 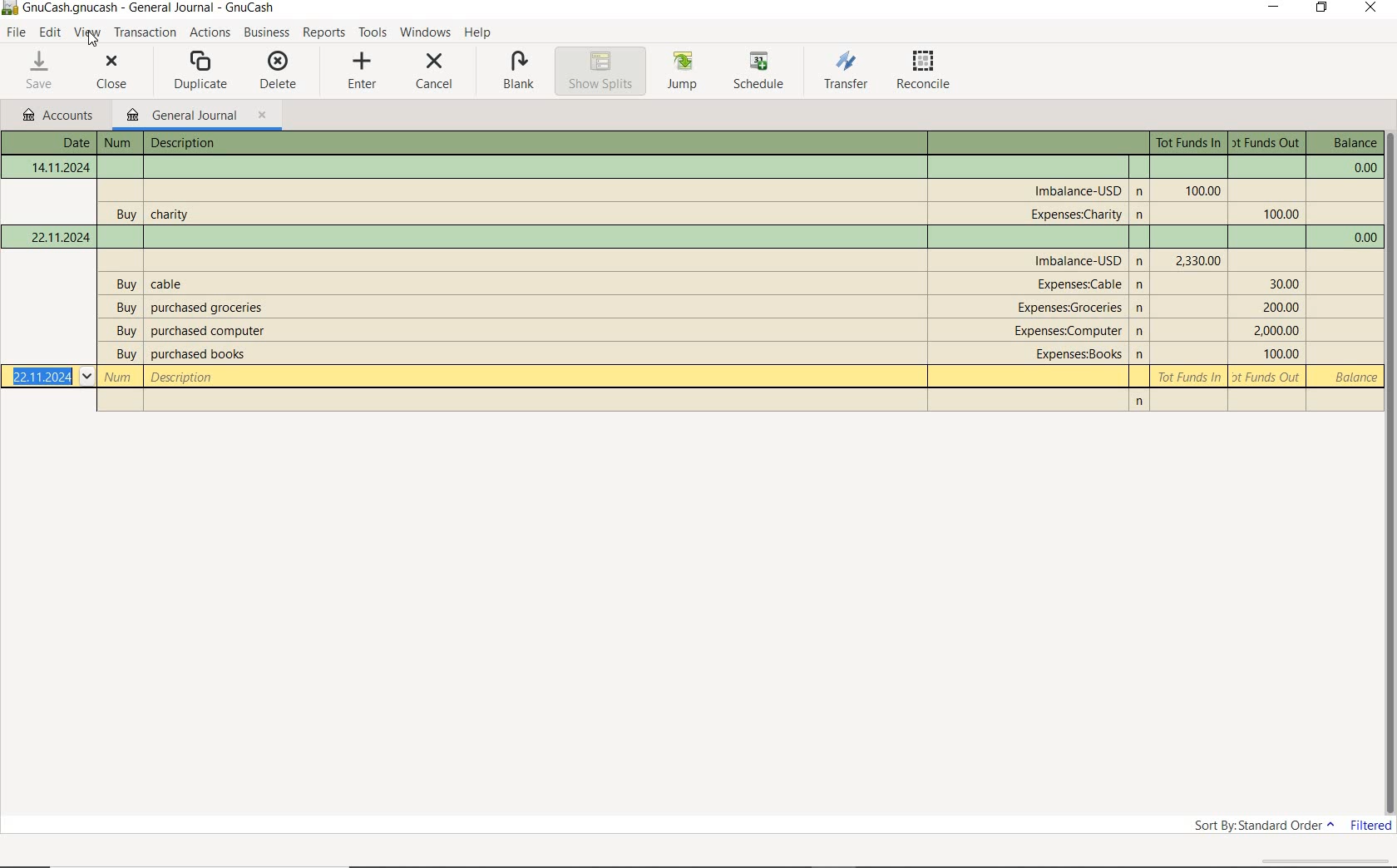 I want to click on ACTIONS, so click(x=210, y=34).